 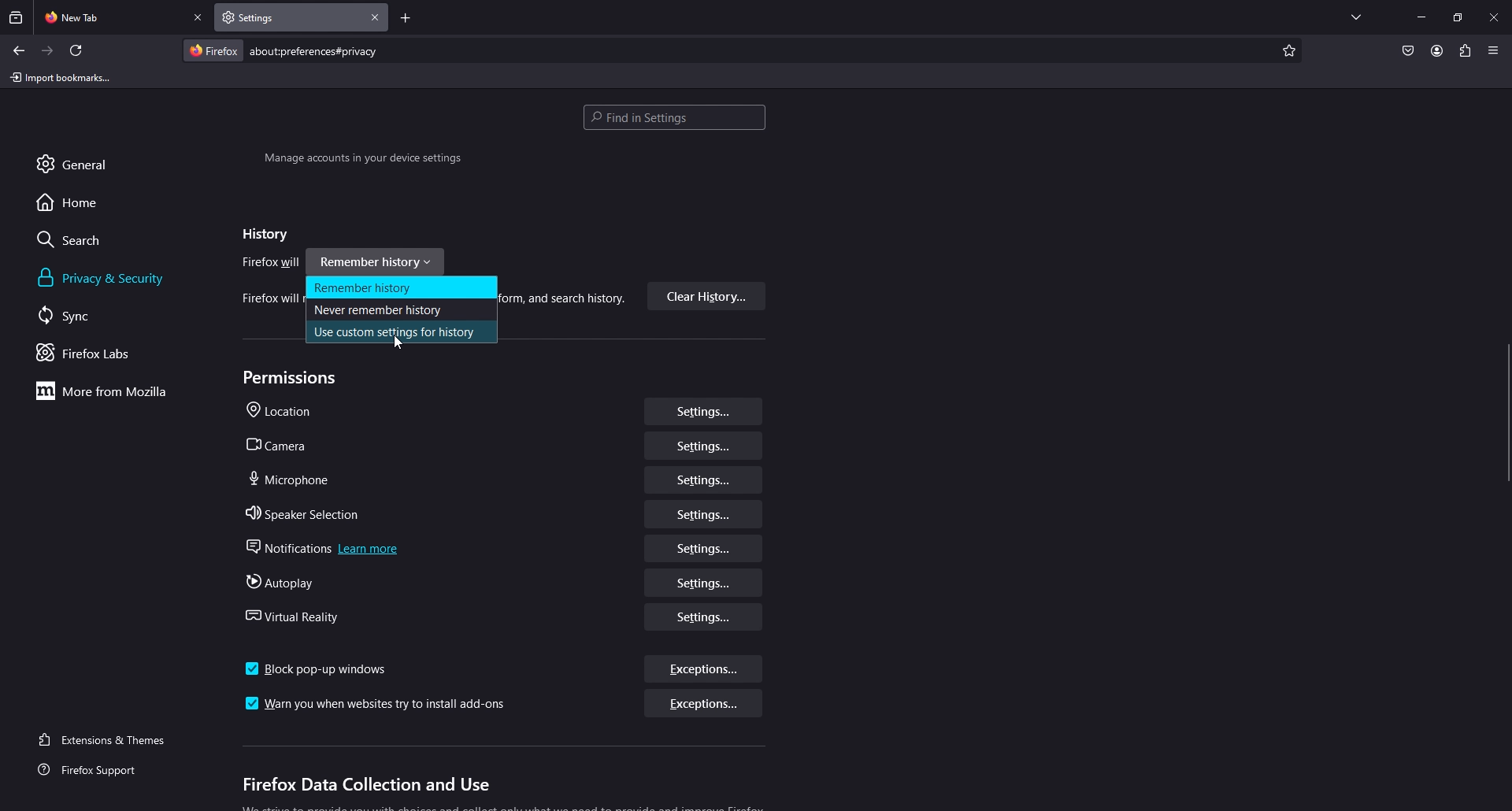 I want to click on clear history, so click(x=706, y=297).